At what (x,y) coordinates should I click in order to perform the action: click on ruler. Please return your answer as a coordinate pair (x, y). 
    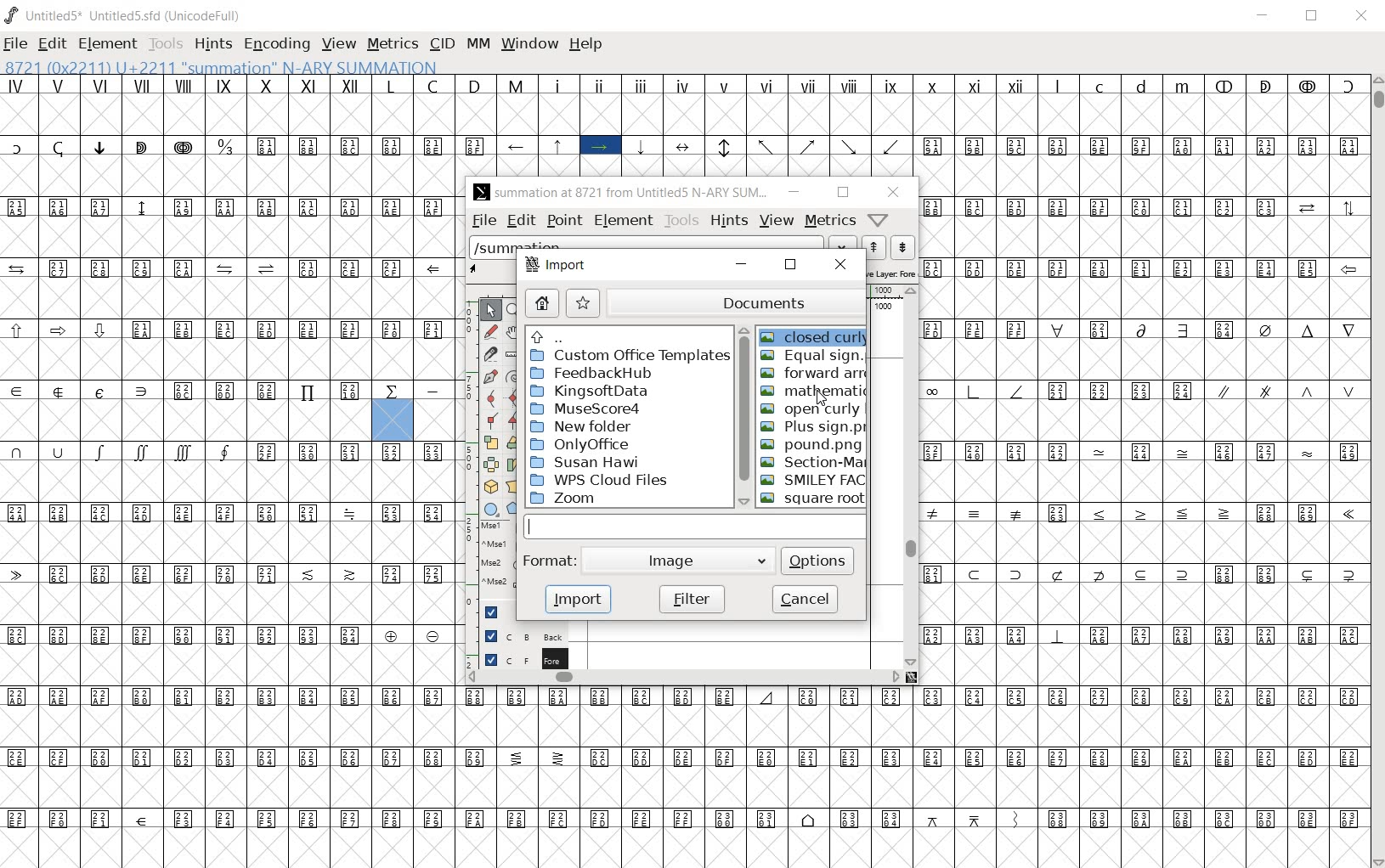
    Looking at the image, I should click on (885, 290).